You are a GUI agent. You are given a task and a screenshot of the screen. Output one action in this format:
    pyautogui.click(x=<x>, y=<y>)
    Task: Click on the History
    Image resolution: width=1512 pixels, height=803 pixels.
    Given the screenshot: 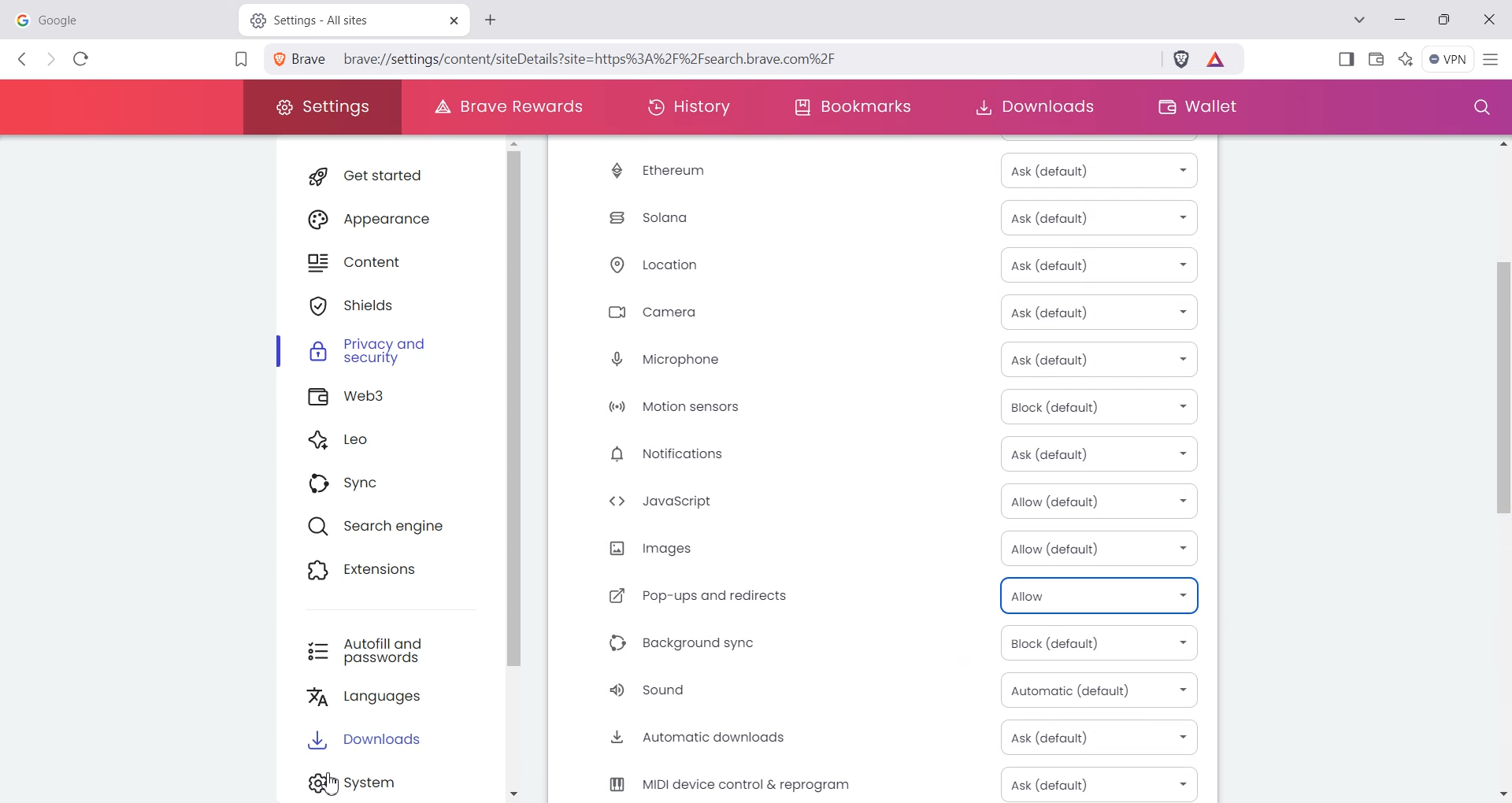 What is the action you would take?
    pyautogui.click(x=689, y=107)
    